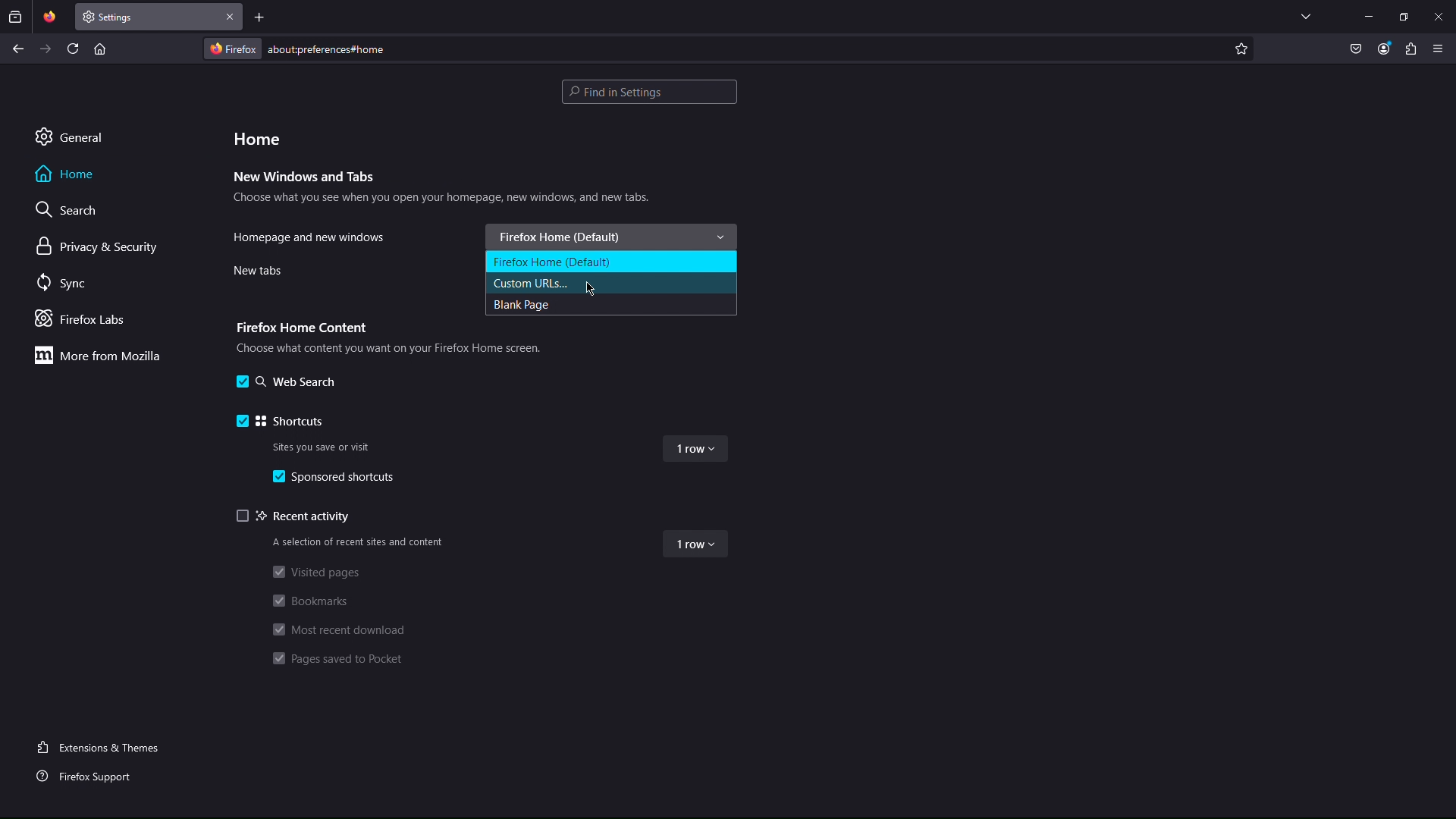 The image size is (1456, 819). What do you see at coordinates (1438, 16) in the screenshot?
I see `Close` at bounding box center [1438, 16].